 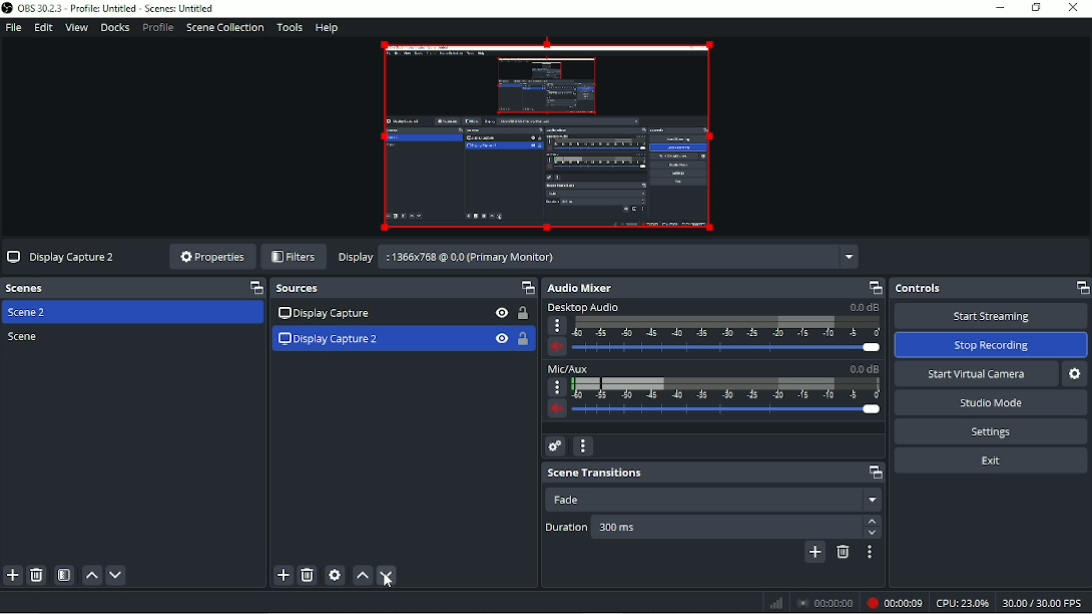 I want to click on 1366x768 @ 0.0 (Primary Monitor) (drop down), so click(x=617, y=259).